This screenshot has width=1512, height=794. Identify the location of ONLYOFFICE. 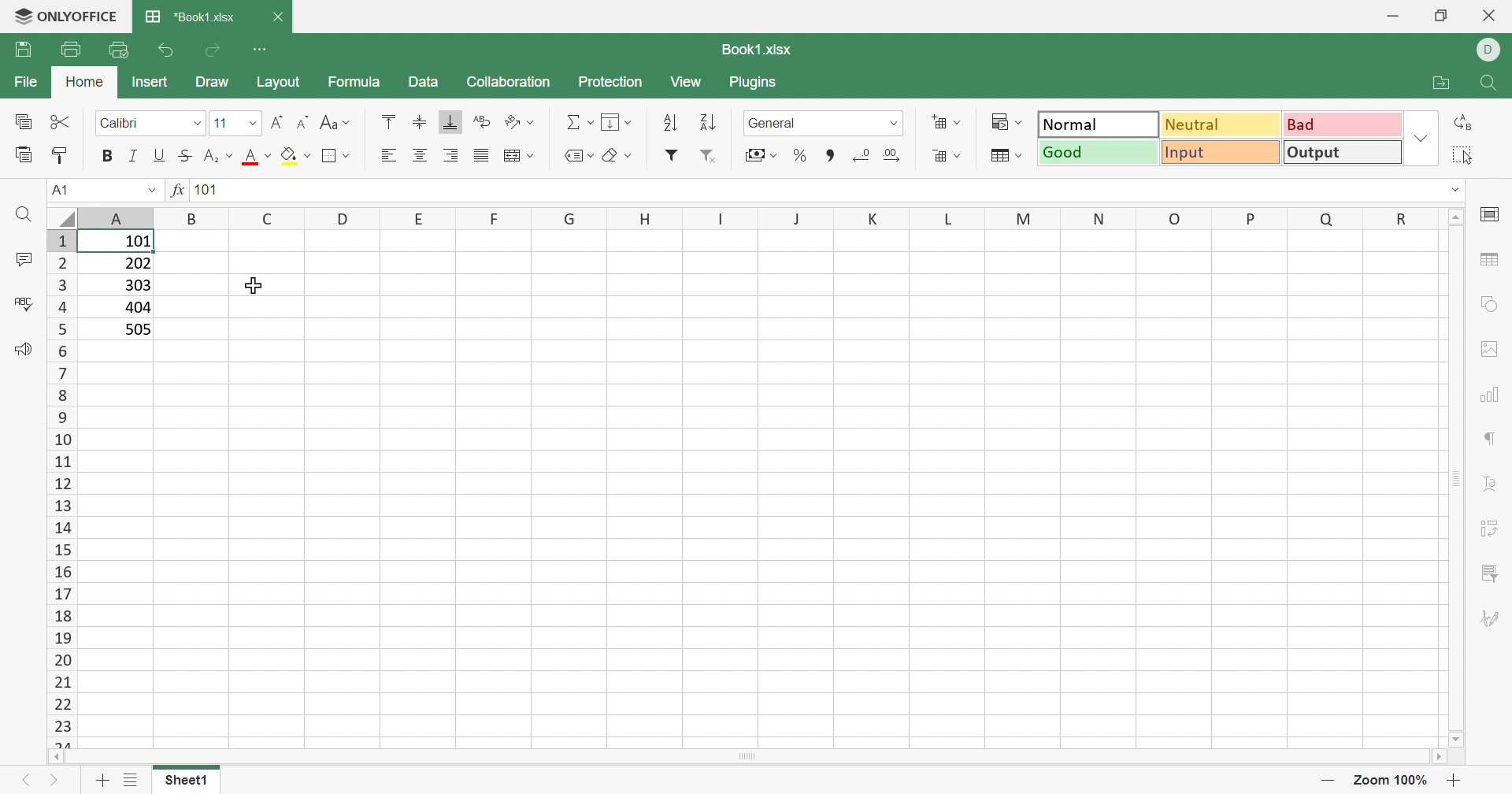
(68, 16).